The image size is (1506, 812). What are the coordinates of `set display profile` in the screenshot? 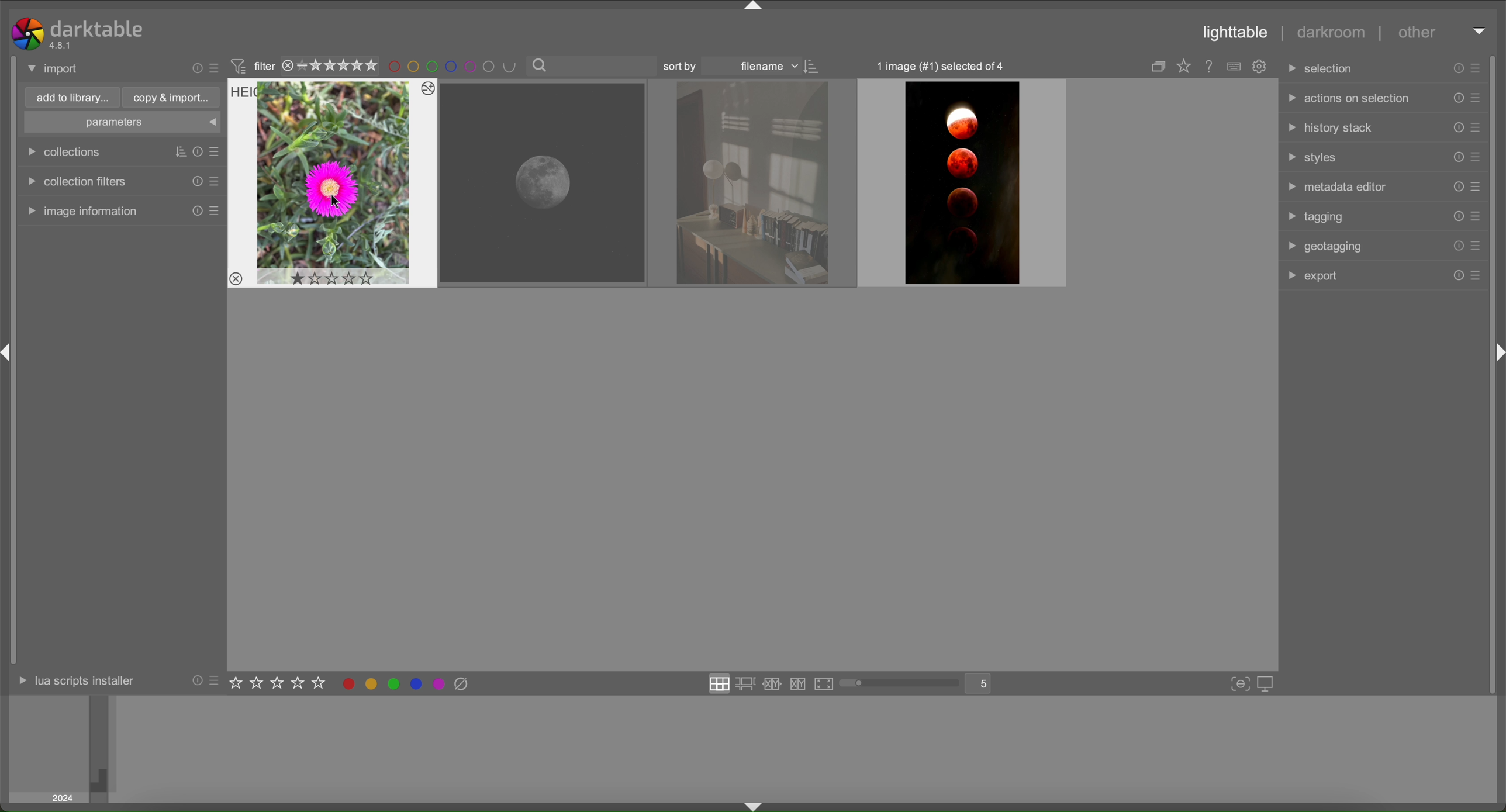 It's located at (1267, 682).